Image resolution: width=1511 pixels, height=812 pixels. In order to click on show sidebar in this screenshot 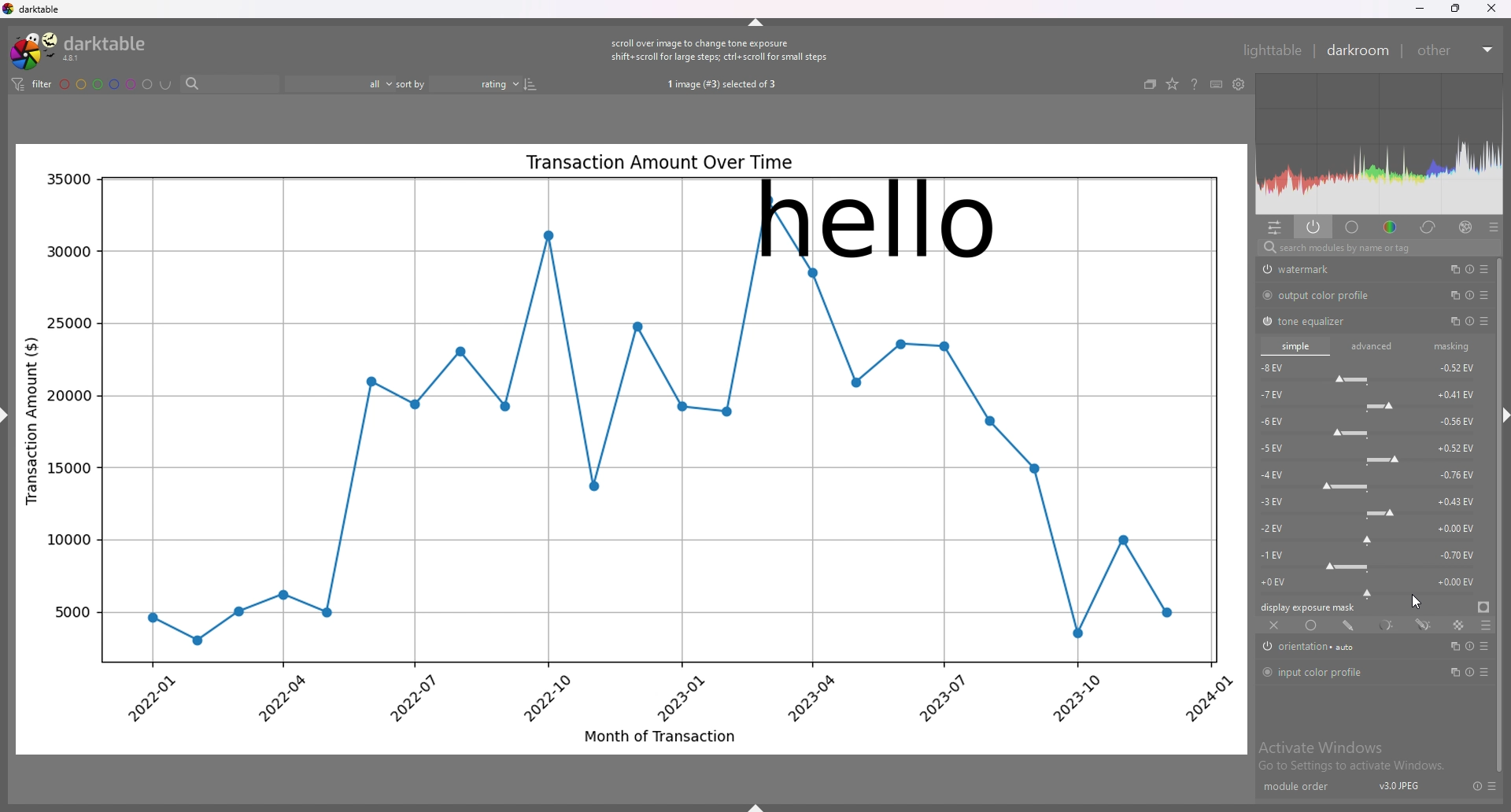, I will do `click(758, 806)`.